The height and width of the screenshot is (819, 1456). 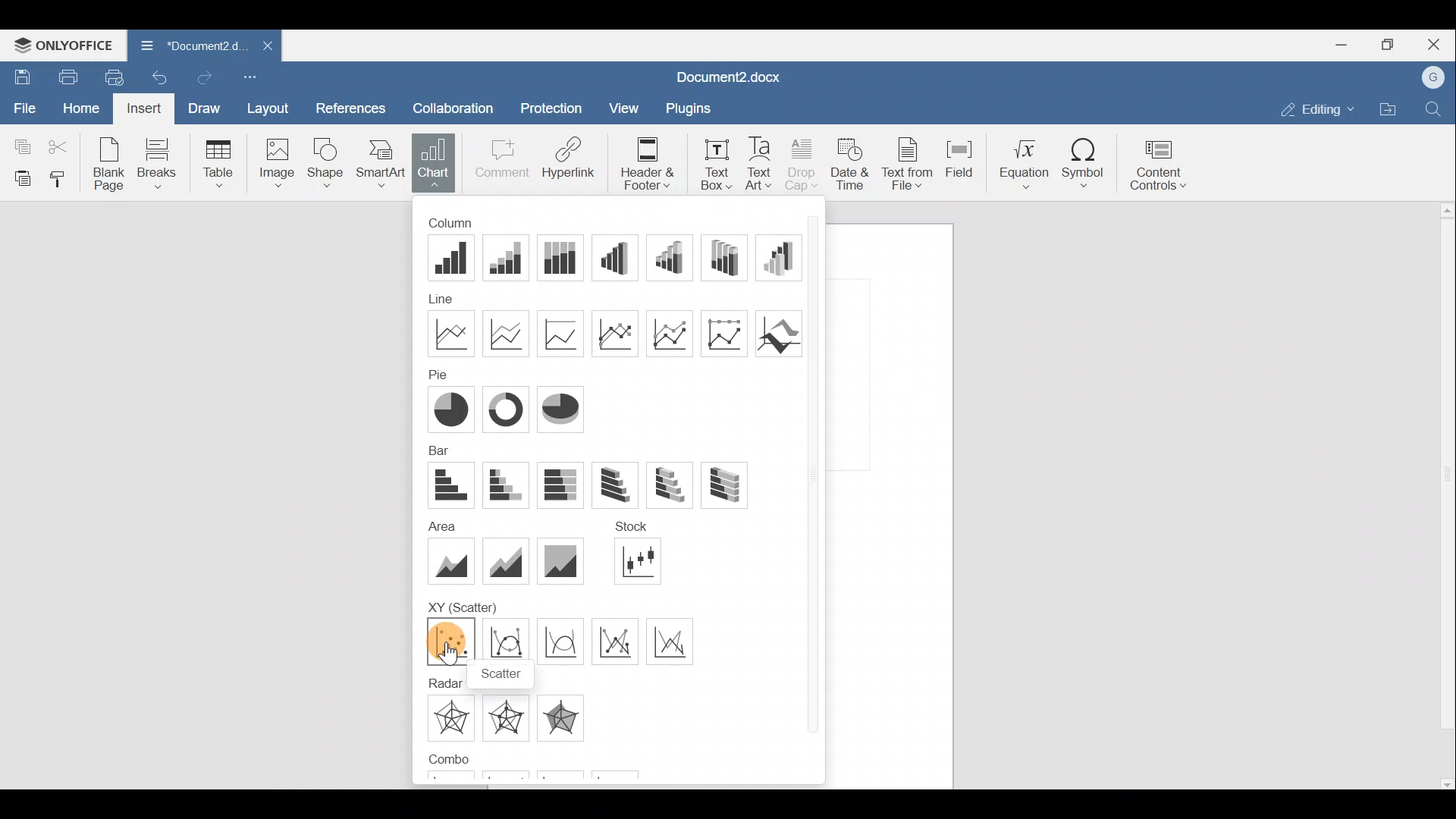 What do you see at coordinates (382, 165) in the screenshot?
I see `SmartArt` at bounding box center [382, 165].